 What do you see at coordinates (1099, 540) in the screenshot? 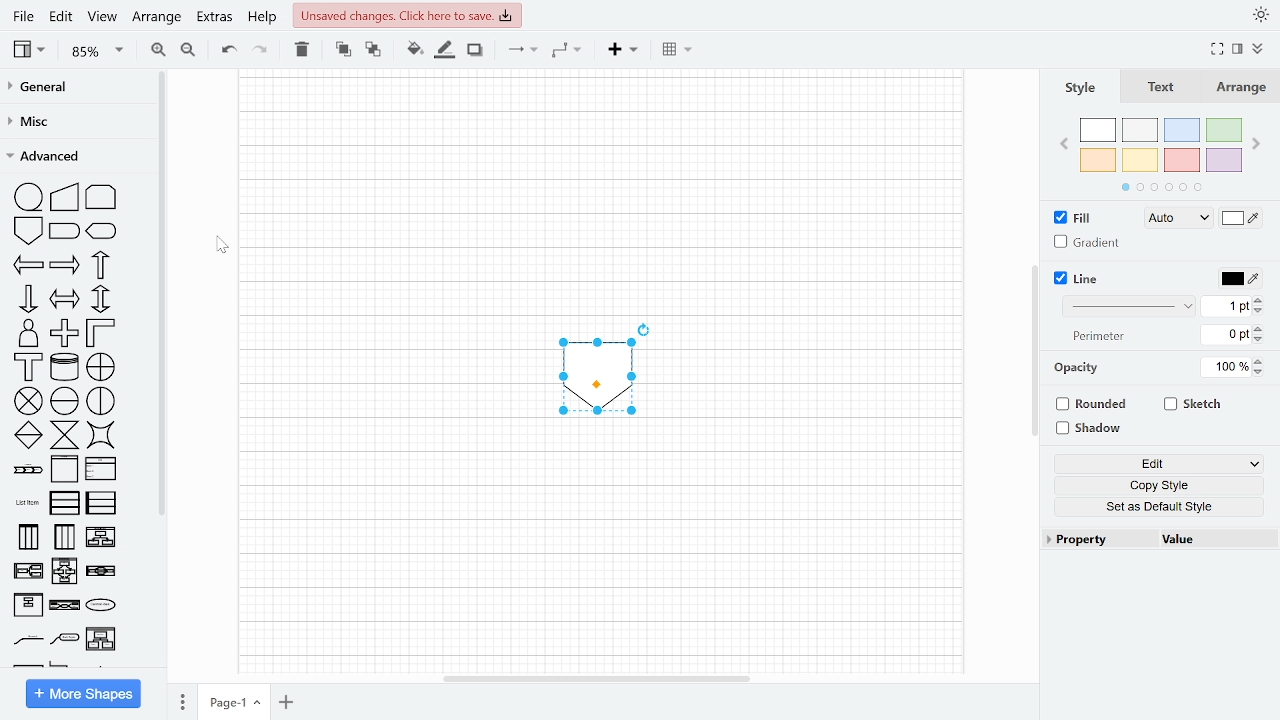
I see `Property` at bounding box center [1099, 540].